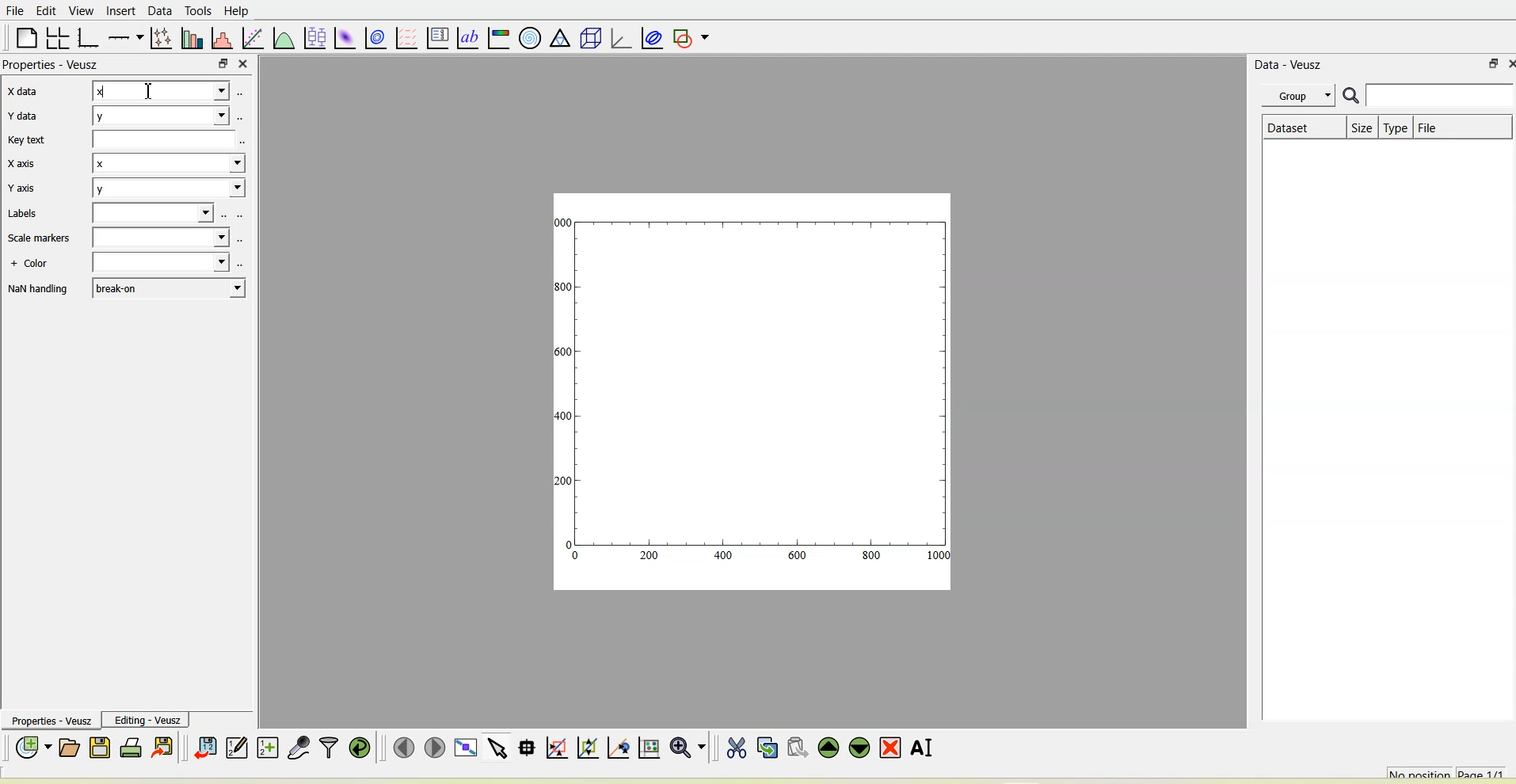 The height and width of the screenshot is (784, 1516). What do you see at coordinates (243, 262) in the screenshot?
I see `select using dataset browser` at bounding box center [243, 262].